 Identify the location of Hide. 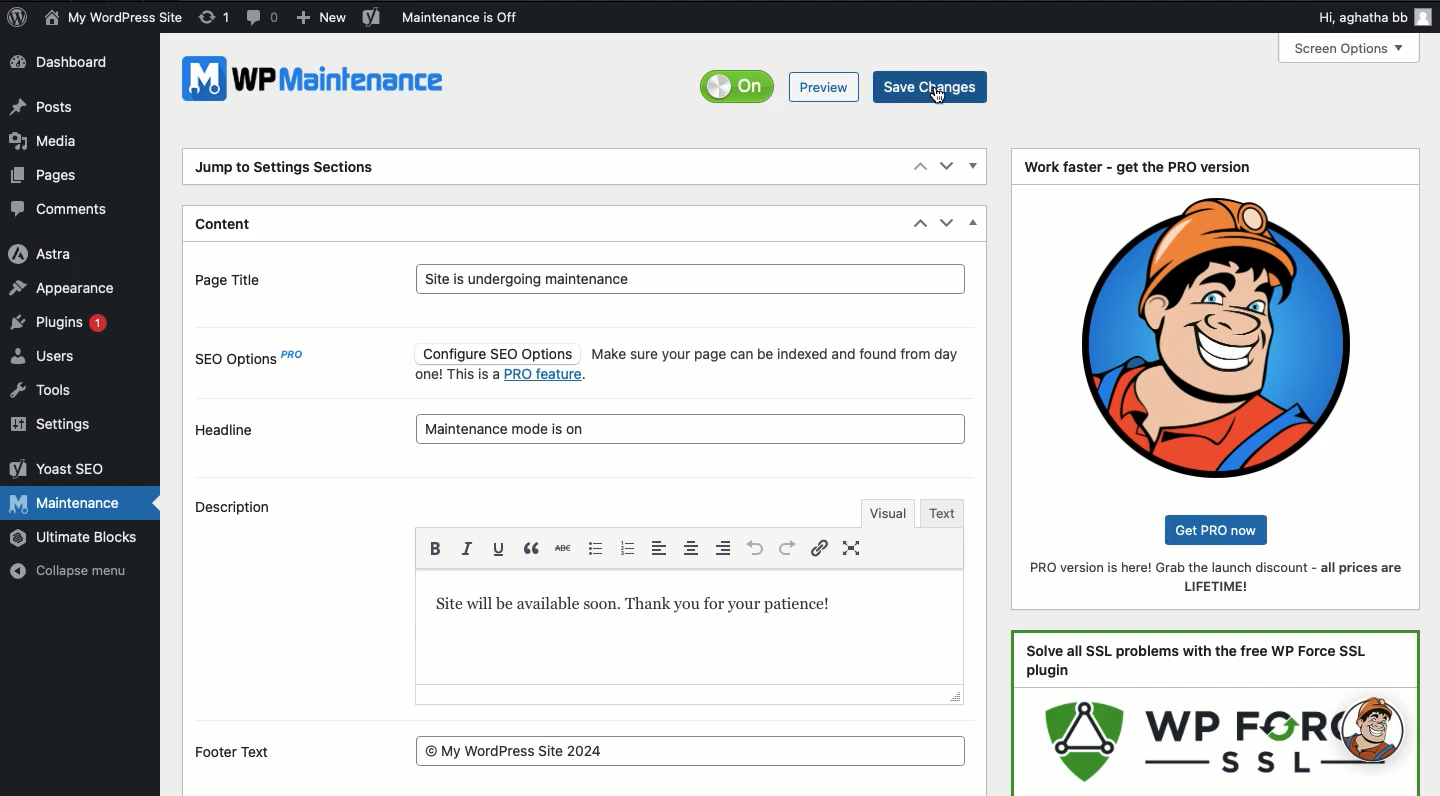
(975, 221).